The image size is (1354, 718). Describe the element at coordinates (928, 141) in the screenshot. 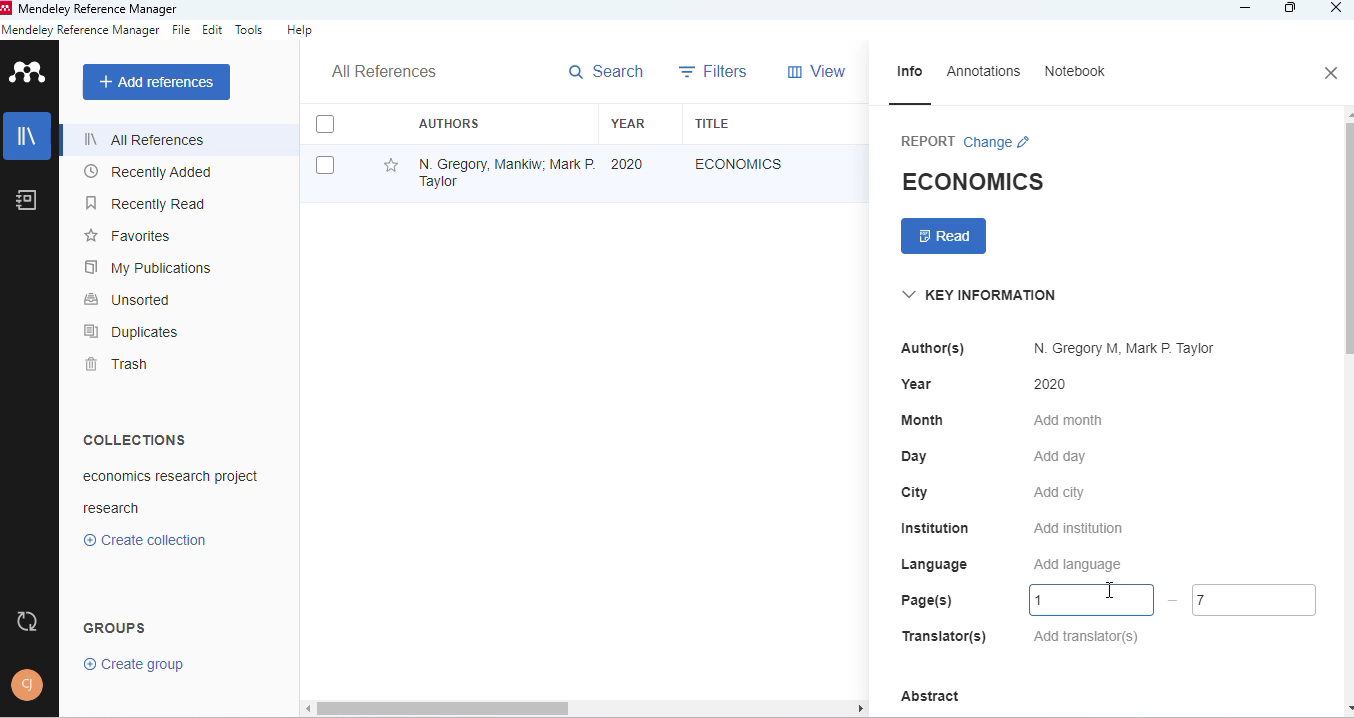

I see `report` at that location.